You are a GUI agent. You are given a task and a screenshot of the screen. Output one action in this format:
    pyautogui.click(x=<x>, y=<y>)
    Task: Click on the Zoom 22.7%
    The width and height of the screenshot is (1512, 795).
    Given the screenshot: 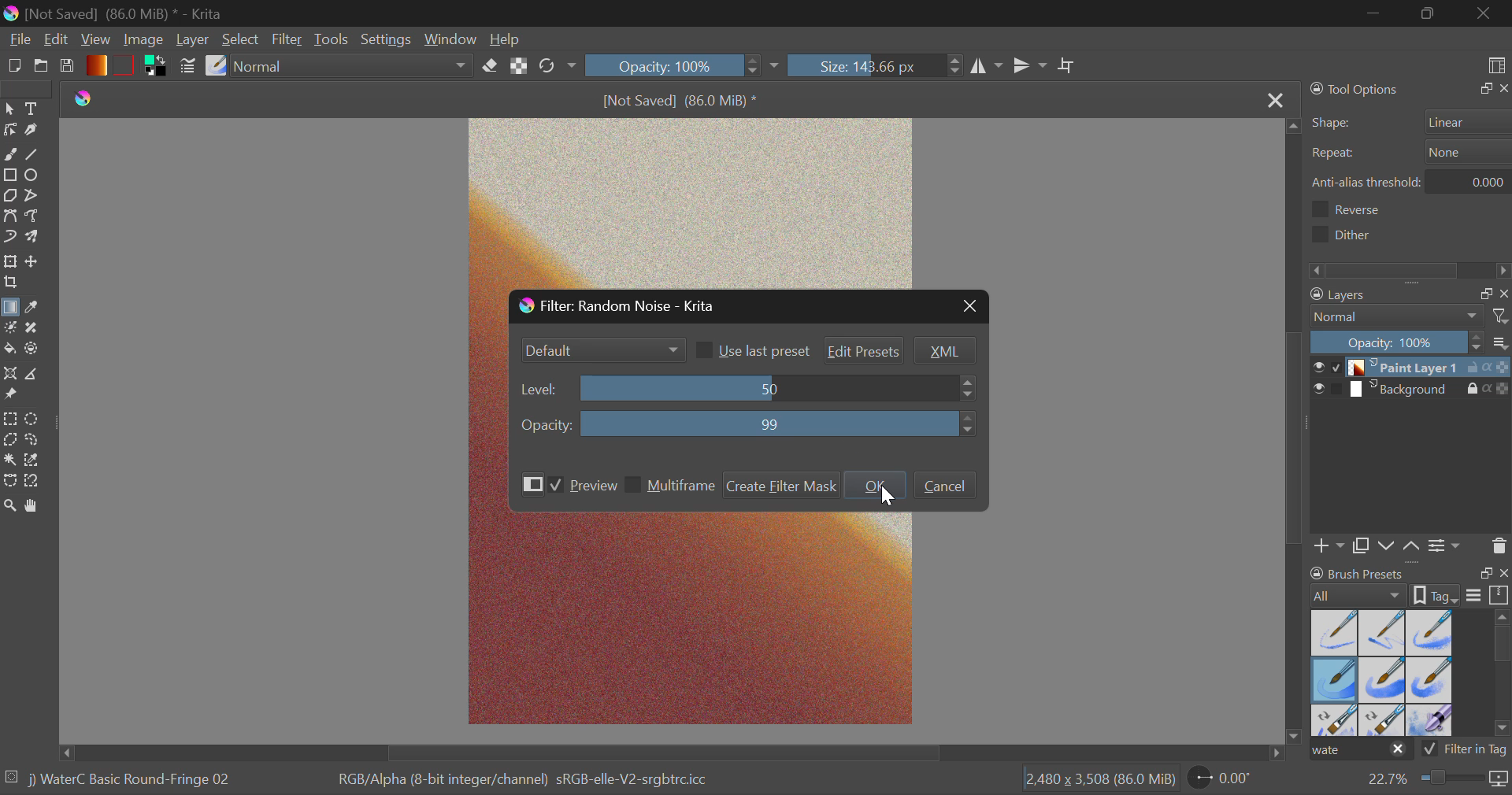 What is the action you would take?
    pyautogui.click(x=1435, y=782)
    